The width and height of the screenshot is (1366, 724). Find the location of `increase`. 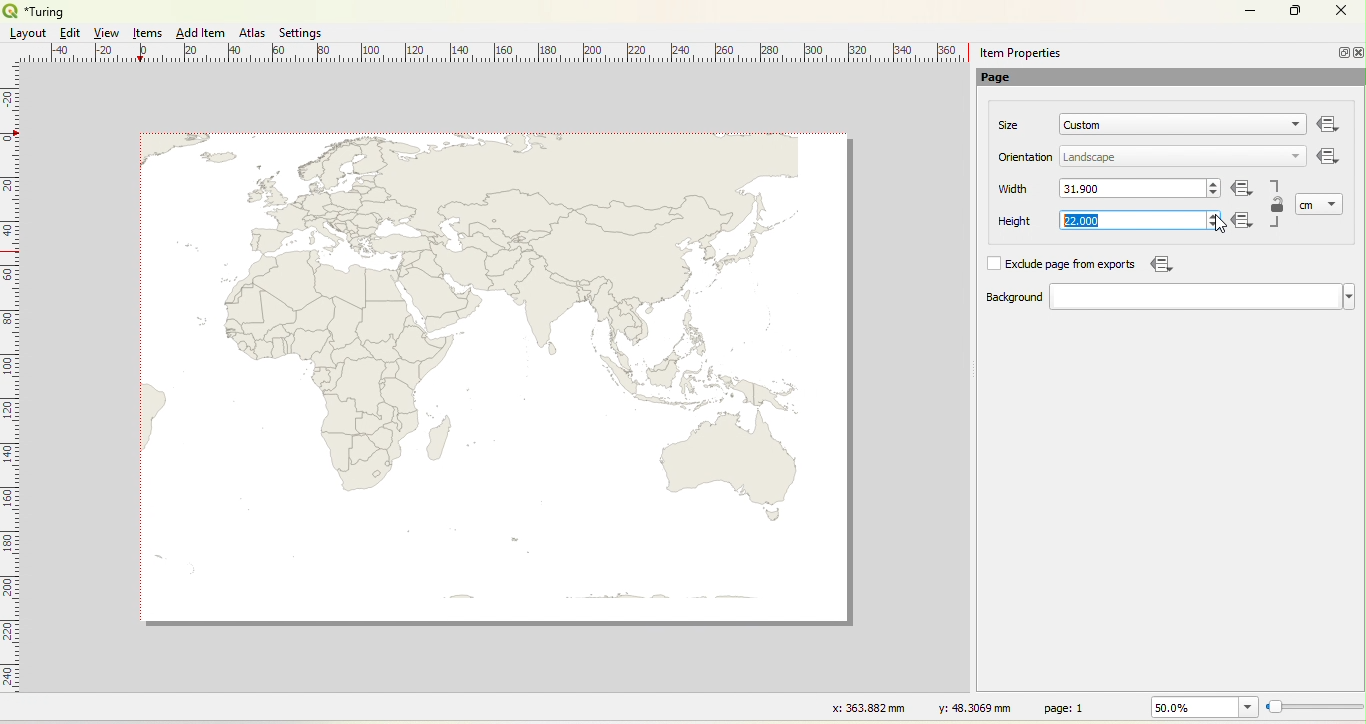

increase is located at coordinates (1211, 214).